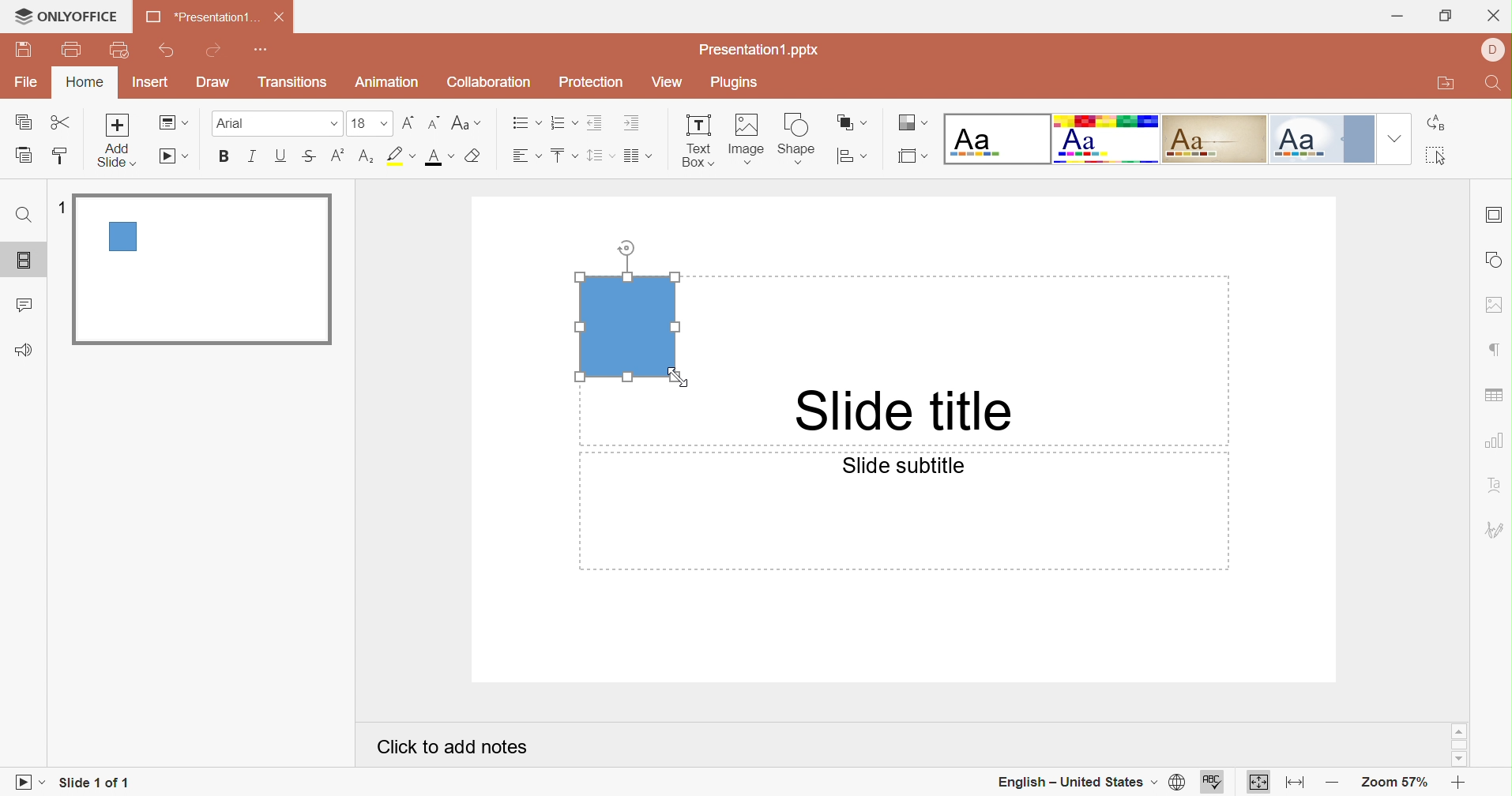  I want to click on Scroll bar, so click(1460, 745).